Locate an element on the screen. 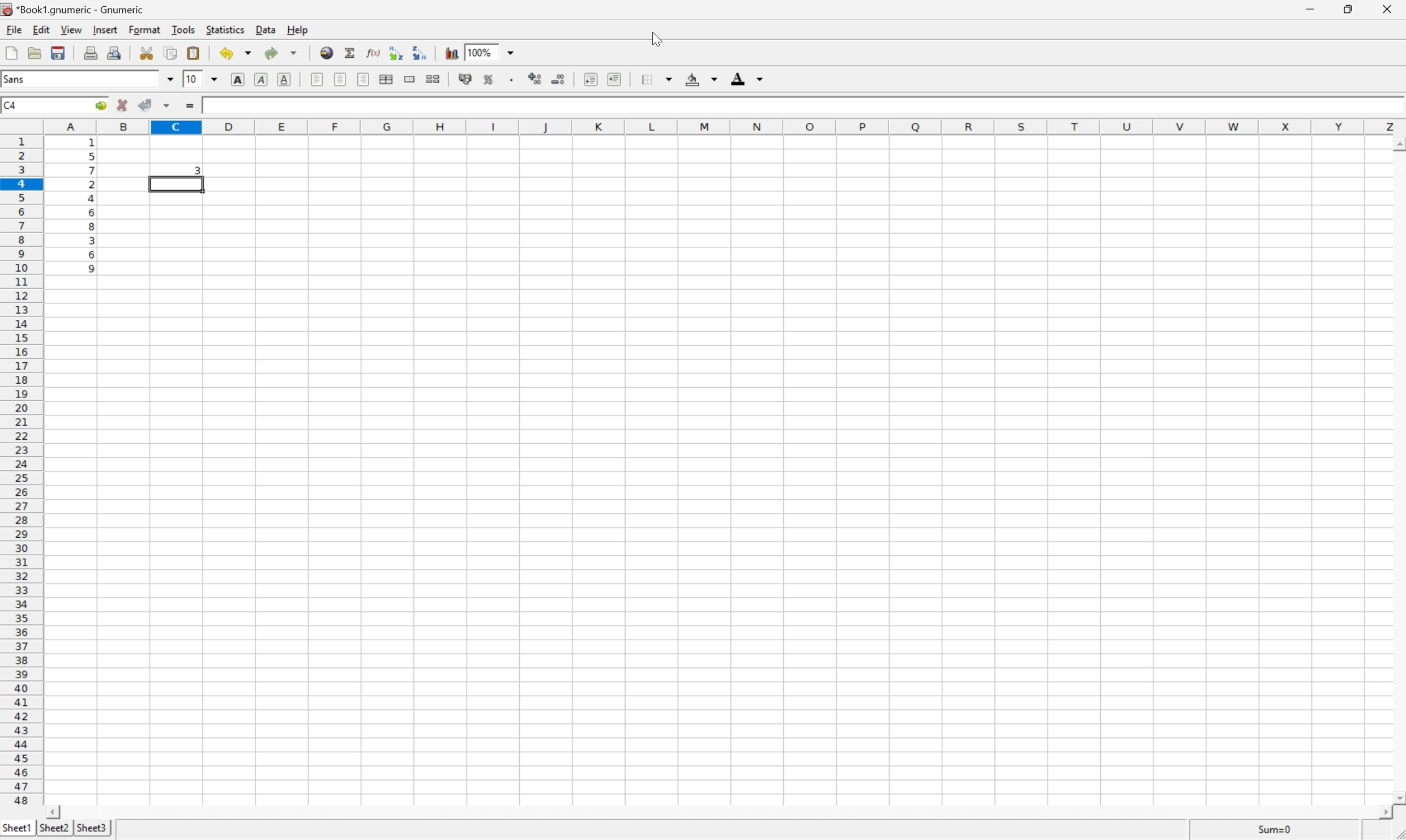 The height and width of the screenshot is (840, 1406). new is located at coordinates (12, 52).